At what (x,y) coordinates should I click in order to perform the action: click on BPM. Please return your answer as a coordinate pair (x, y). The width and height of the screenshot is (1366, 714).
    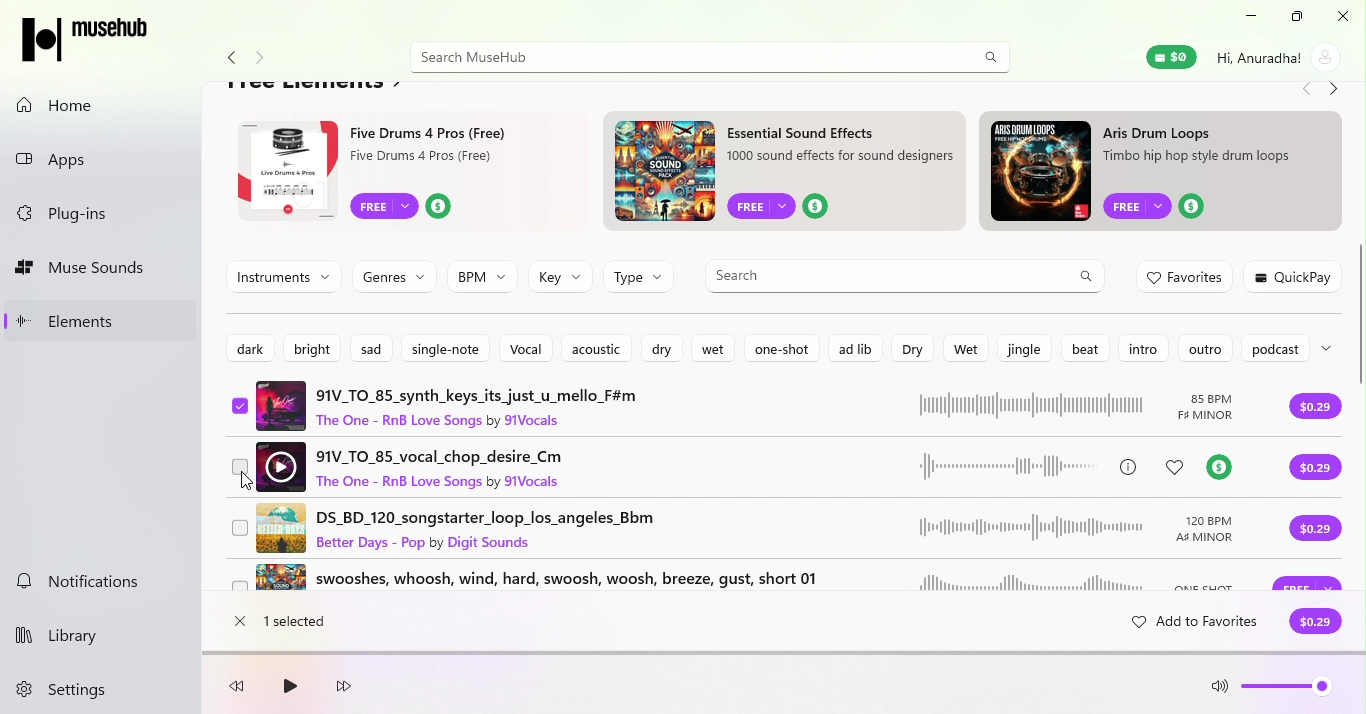
    Looking at the image, I should click on (482, 277).